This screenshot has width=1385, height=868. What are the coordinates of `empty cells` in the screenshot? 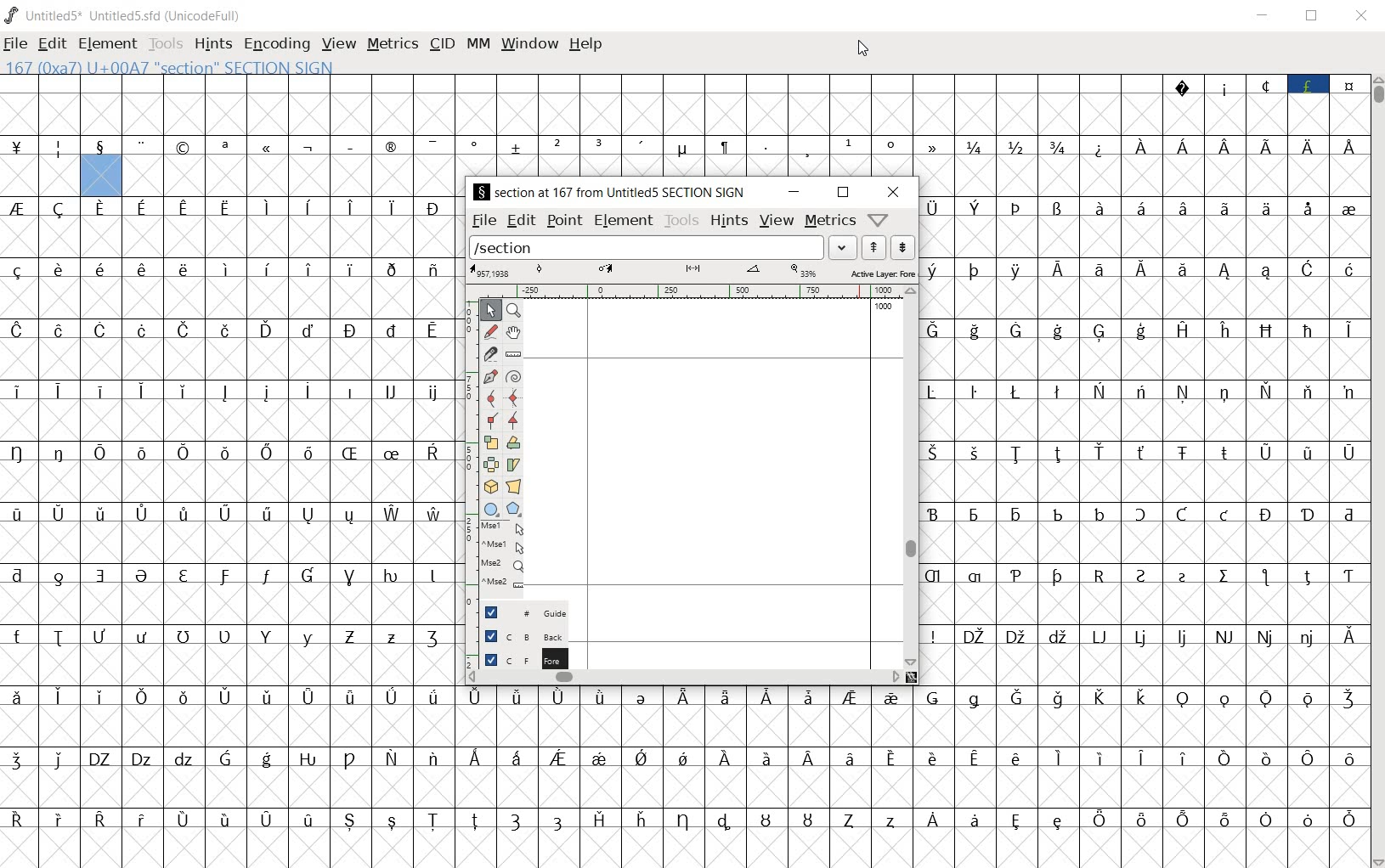 It's located at (1142, 544).